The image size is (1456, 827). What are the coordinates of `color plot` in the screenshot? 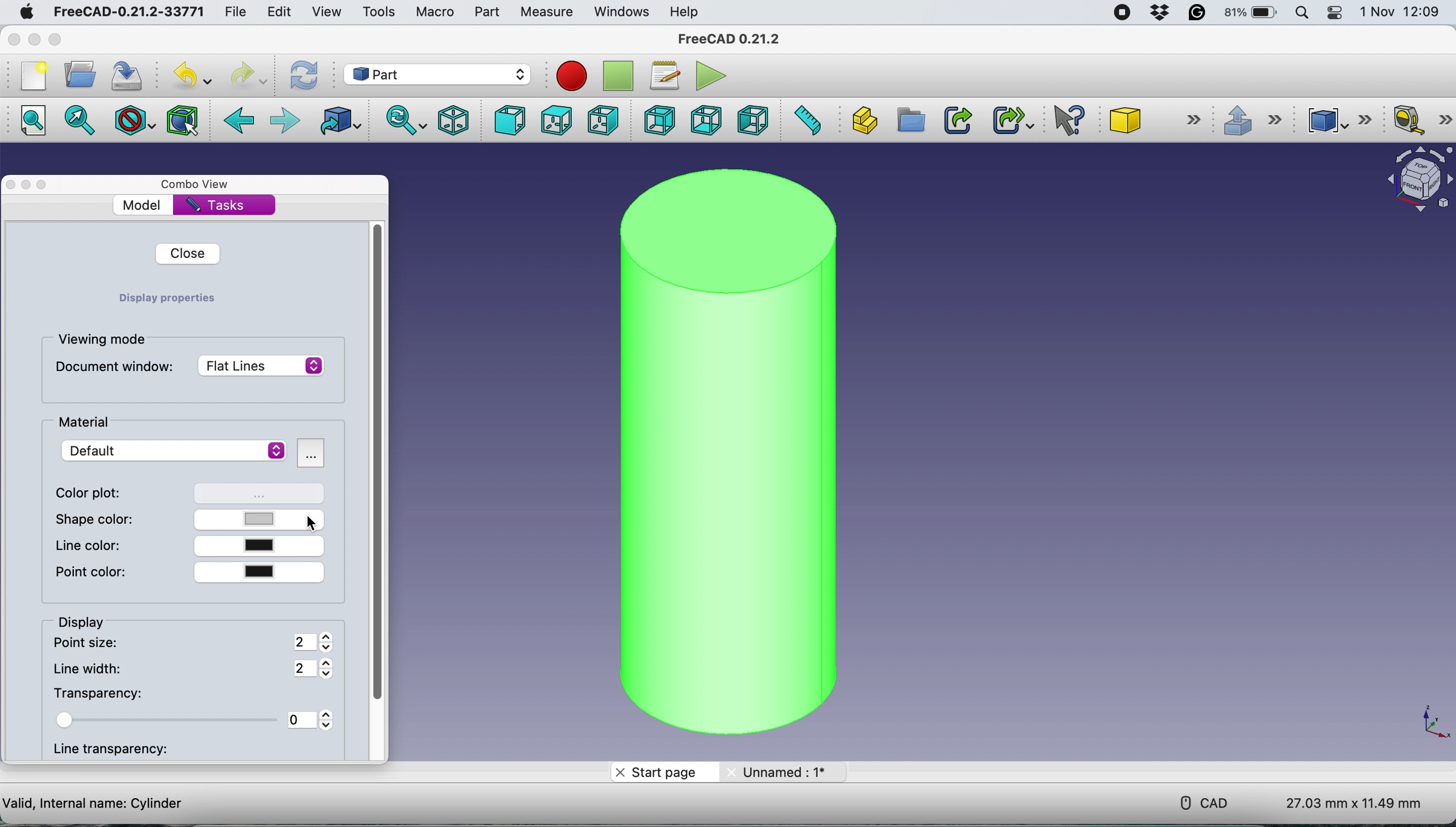 It's located at (192, 492).